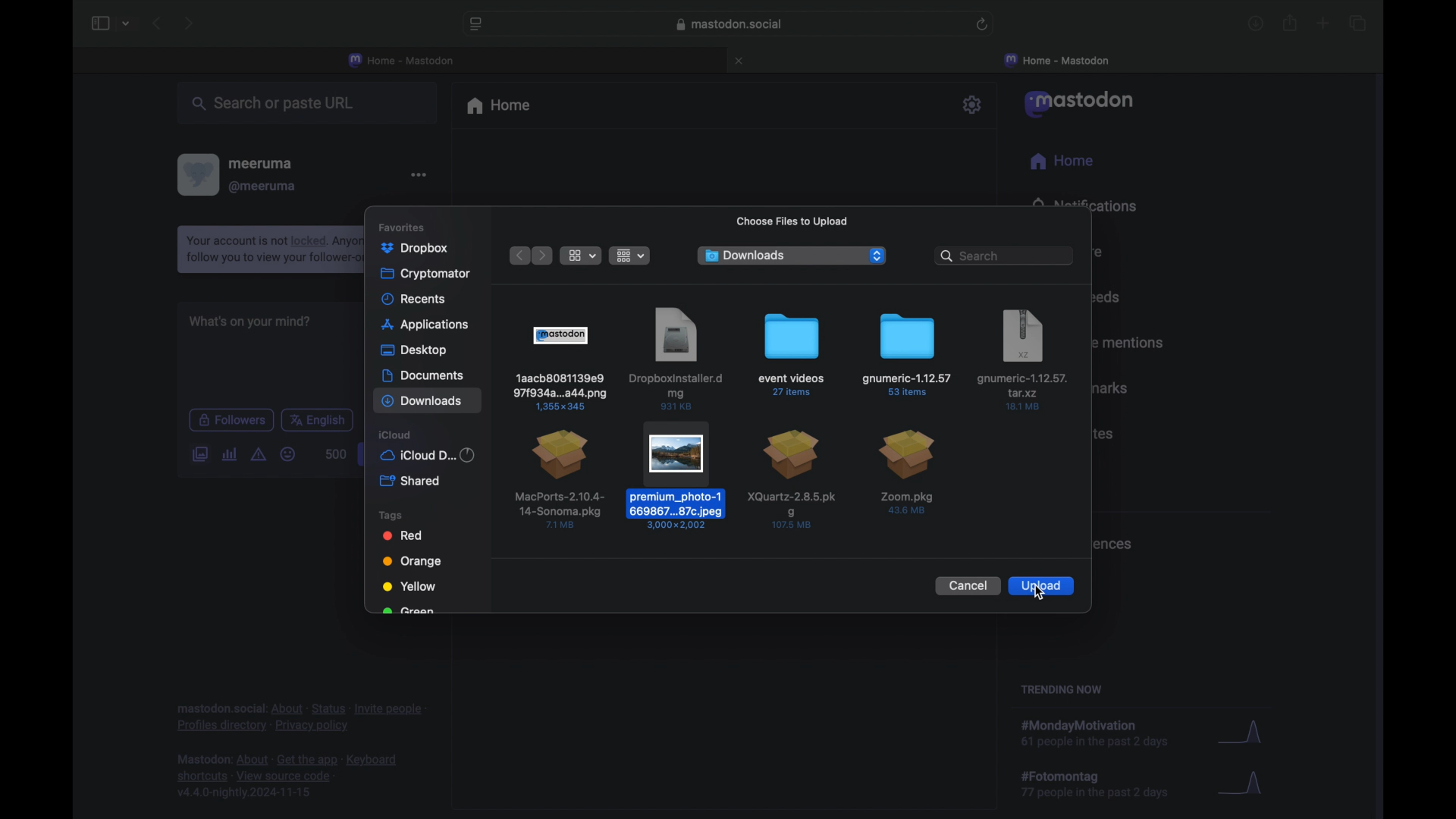 The width and height of the screenshot is (1456, 819). I want to click on event videos, so click(791, 355).